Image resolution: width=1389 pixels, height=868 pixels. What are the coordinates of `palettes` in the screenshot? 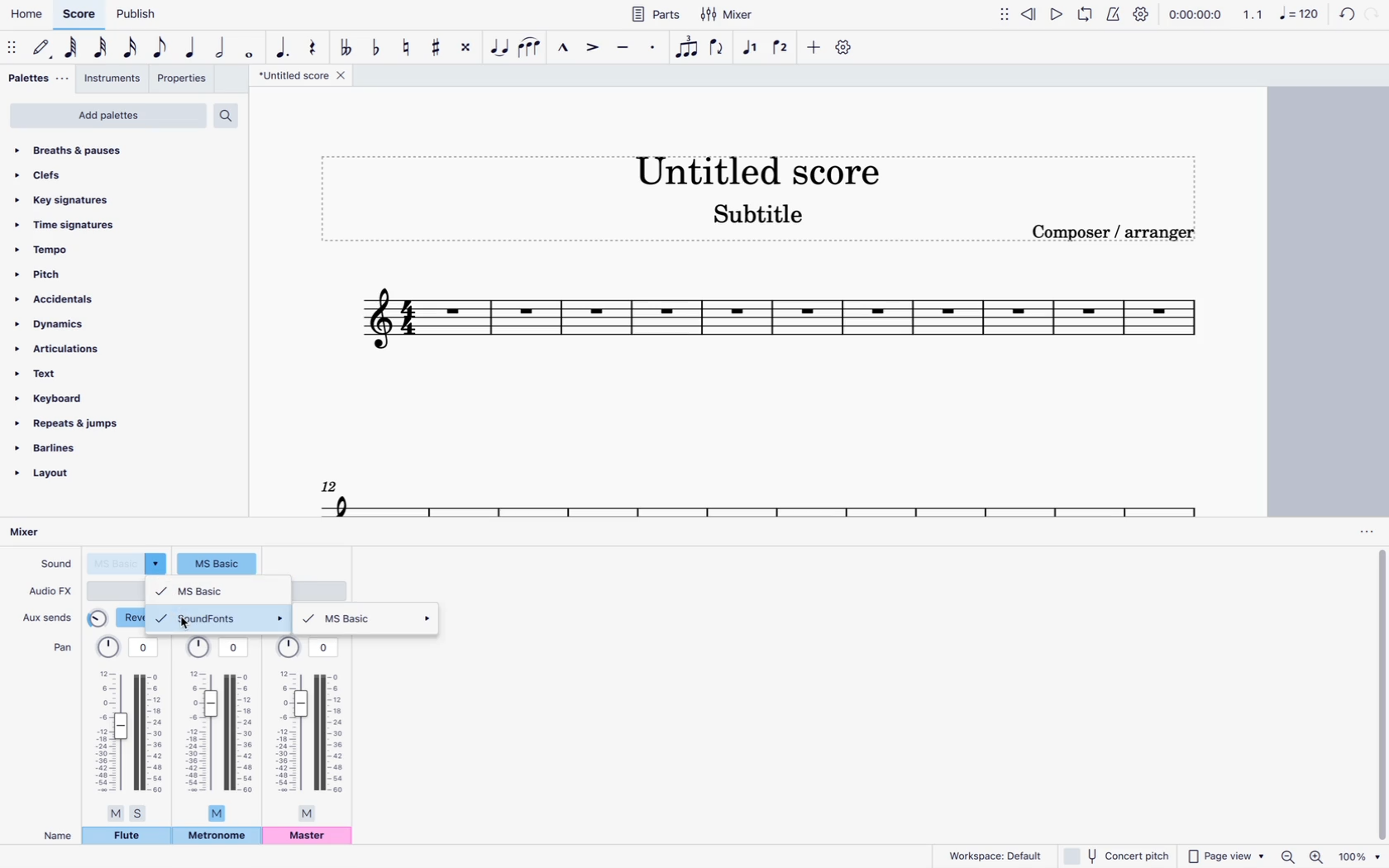 It's located at (39, 81).